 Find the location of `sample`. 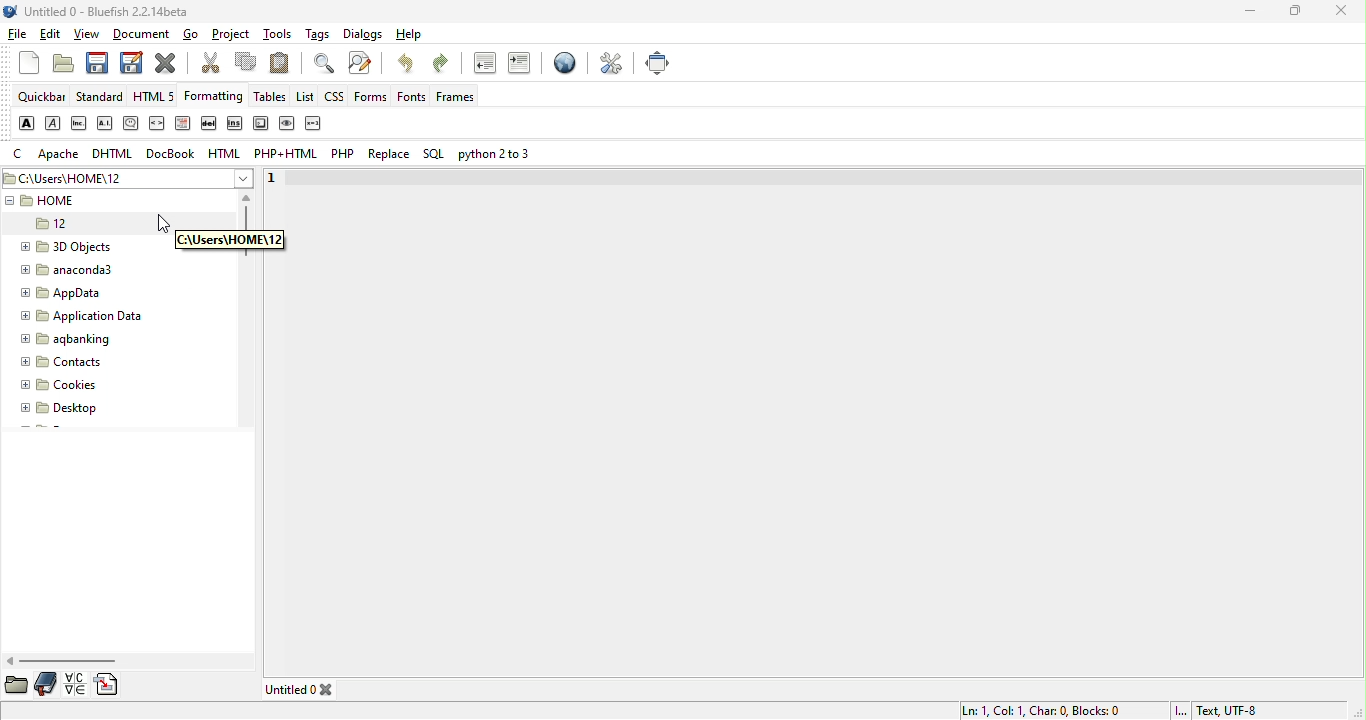

sample is located at coordinates (287, 124).